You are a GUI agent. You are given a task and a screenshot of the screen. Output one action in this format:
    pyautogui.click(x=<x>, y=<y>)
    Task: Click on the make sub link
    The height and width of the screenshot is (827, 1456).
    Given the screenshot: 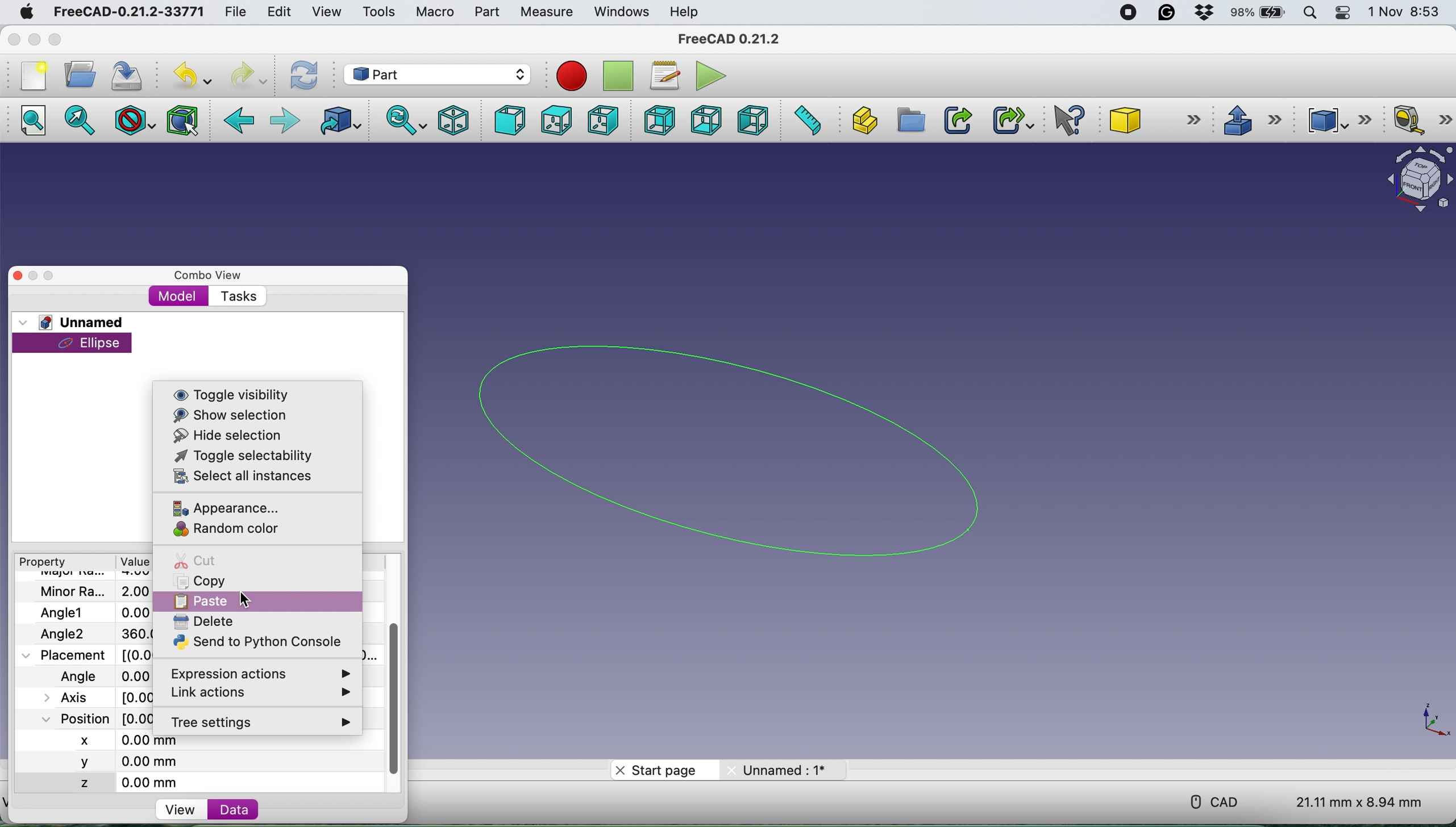 What is the action you would take?
    pyautogui.click(x=1009, y=121)
    